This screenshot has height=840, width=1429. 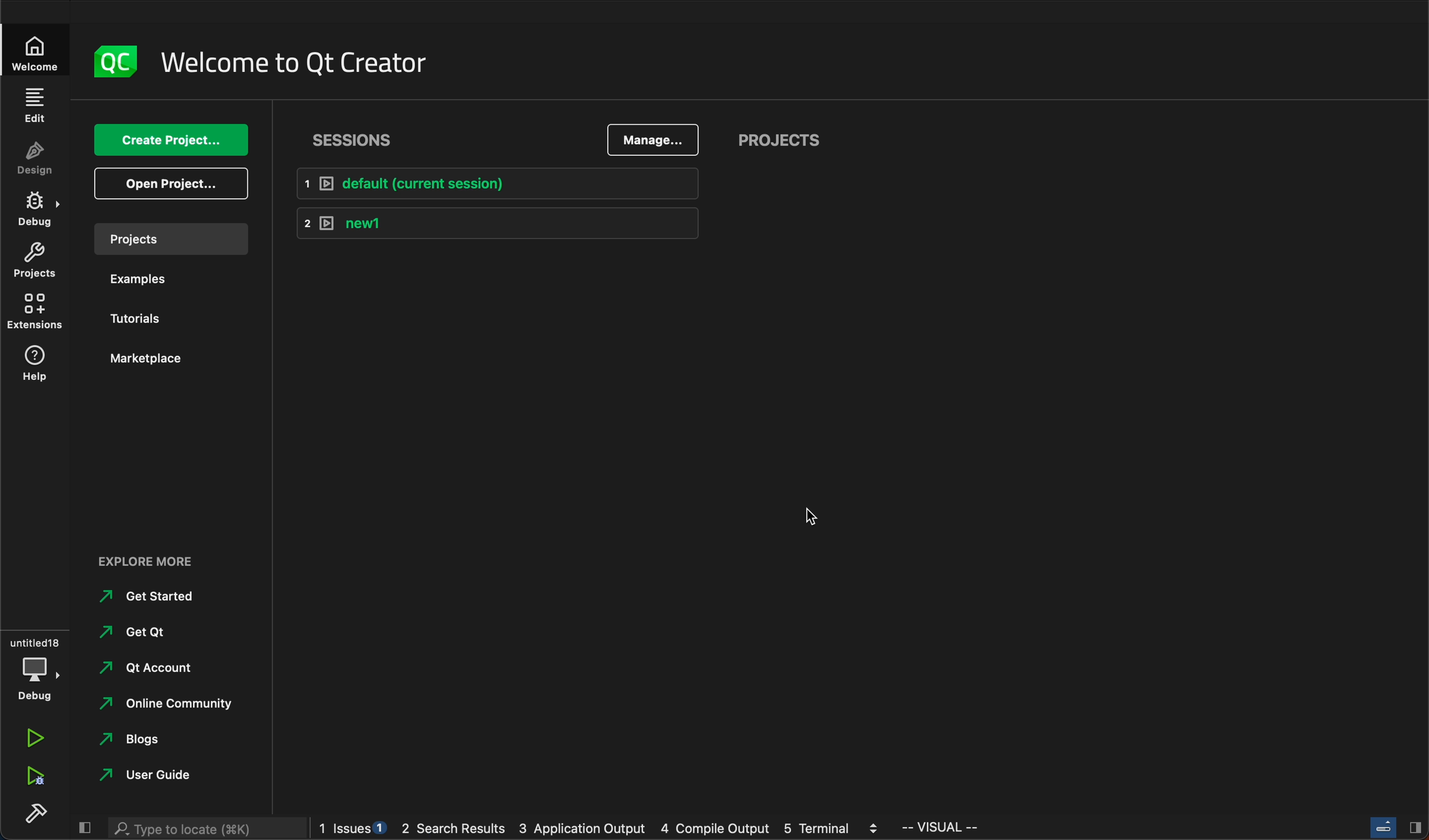 What do you see at coordinates (653, 137) in the screenshot?
I see `manage` at bounding box center [653, 137].